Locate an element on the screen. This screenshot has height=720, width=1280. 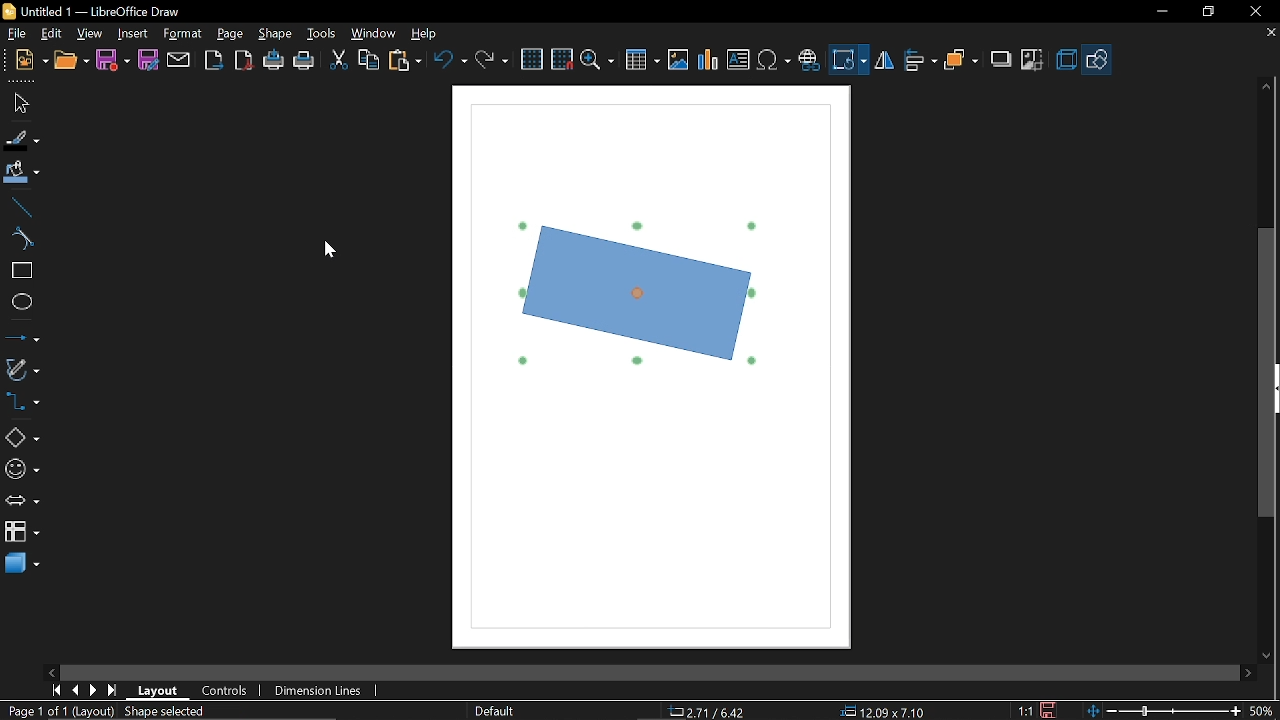
arrange is located at coordinates (962, 59).